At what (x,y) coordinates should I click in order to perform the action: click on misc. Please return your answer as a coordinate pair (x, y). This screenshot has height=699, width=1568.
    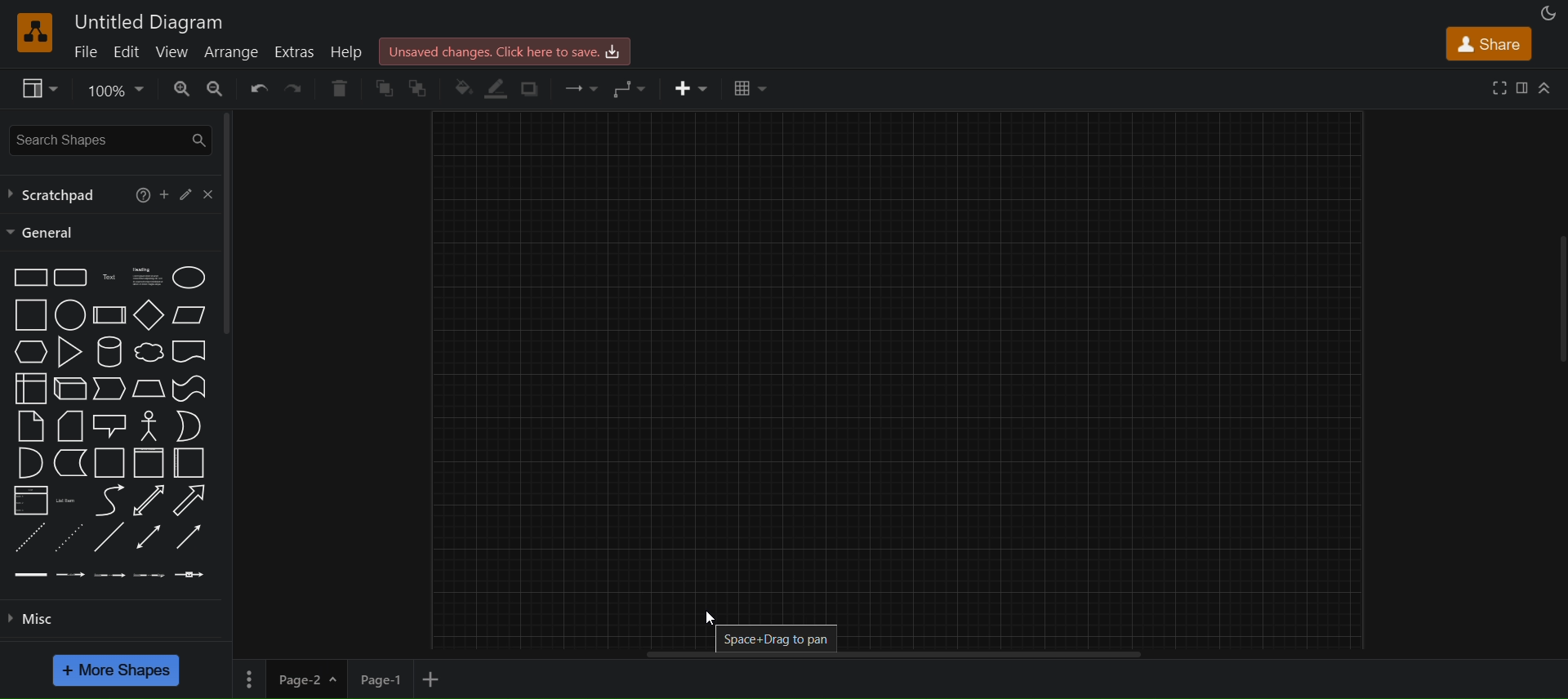
    Looking at the image, I should click on (109, 621).